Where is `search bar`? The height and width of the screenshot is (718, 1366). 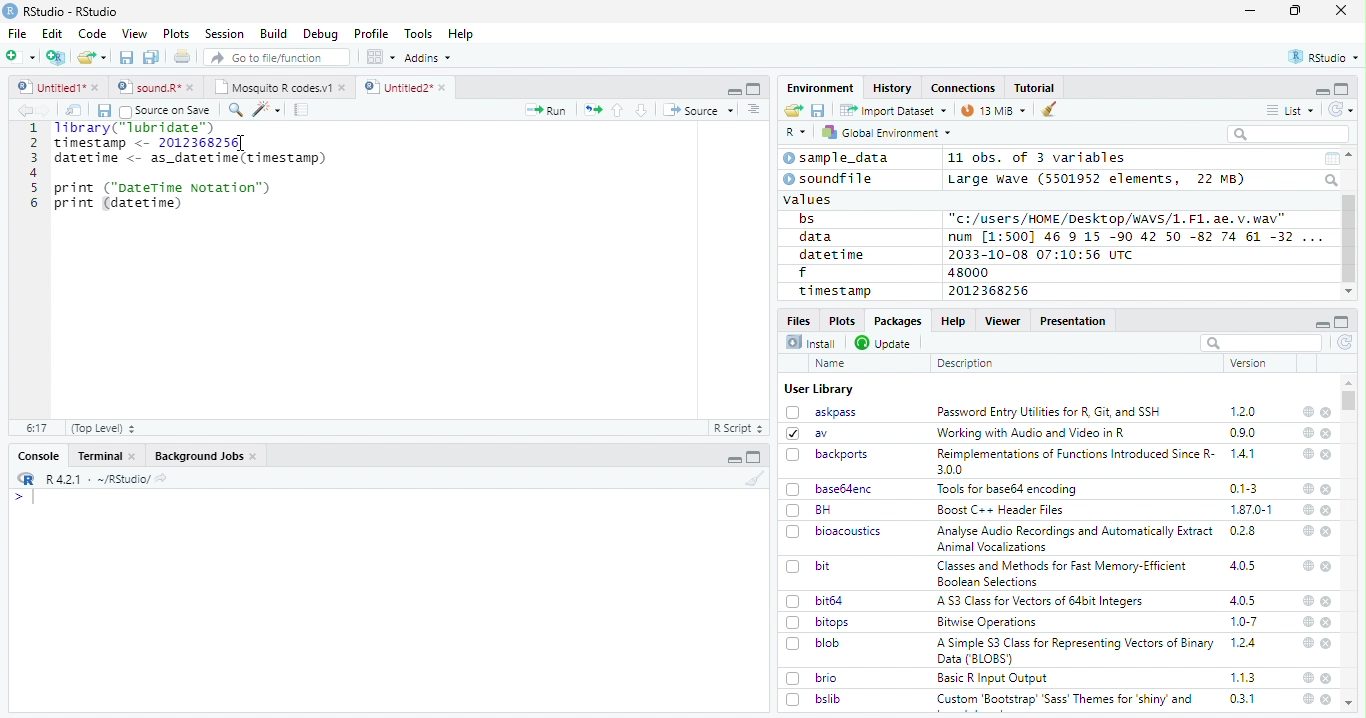 search bar is located at coordinates (1259, 342).